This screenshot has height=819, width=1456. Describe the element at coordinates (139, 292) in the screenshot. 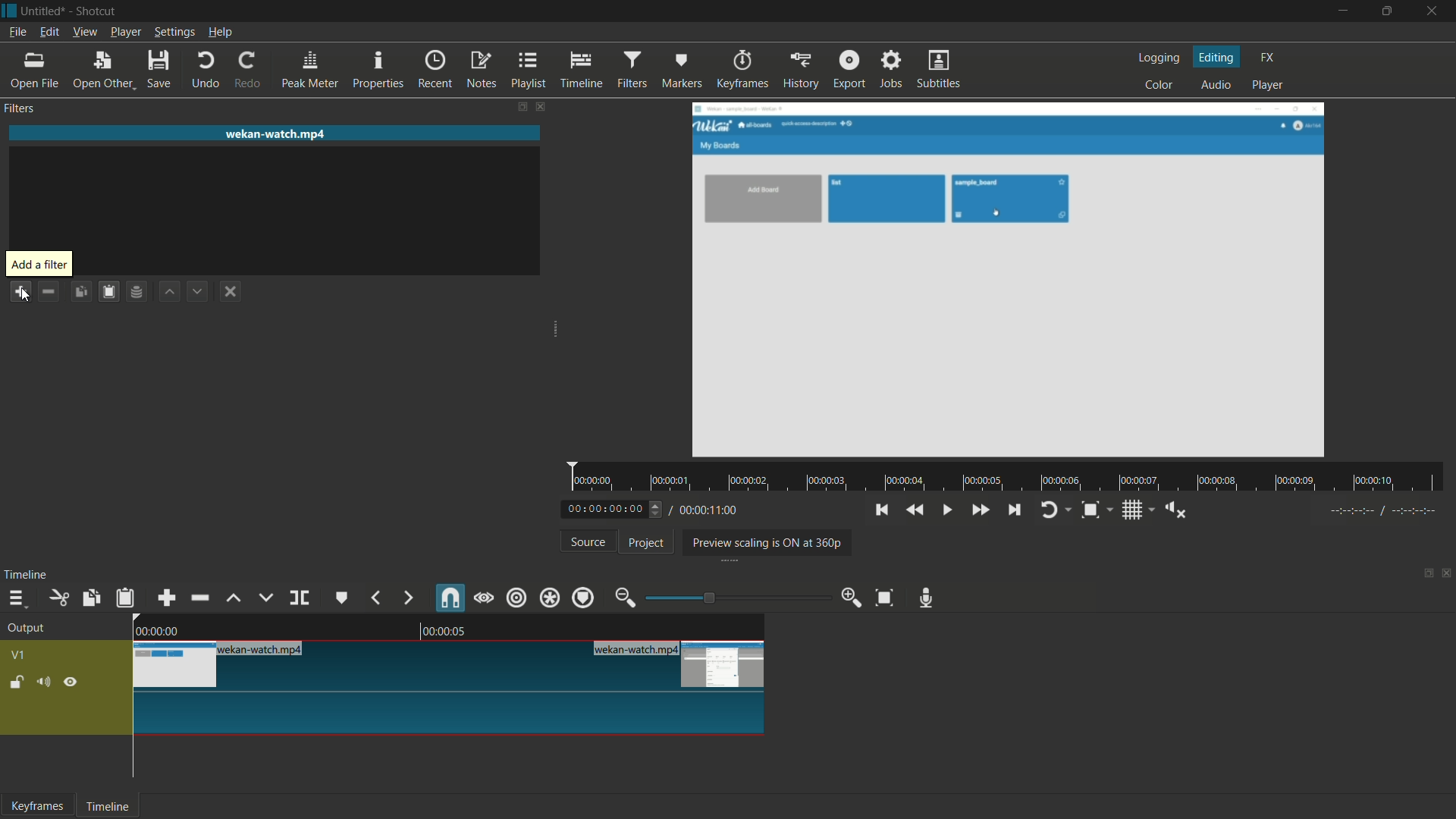

I see `save filter set` at that location.